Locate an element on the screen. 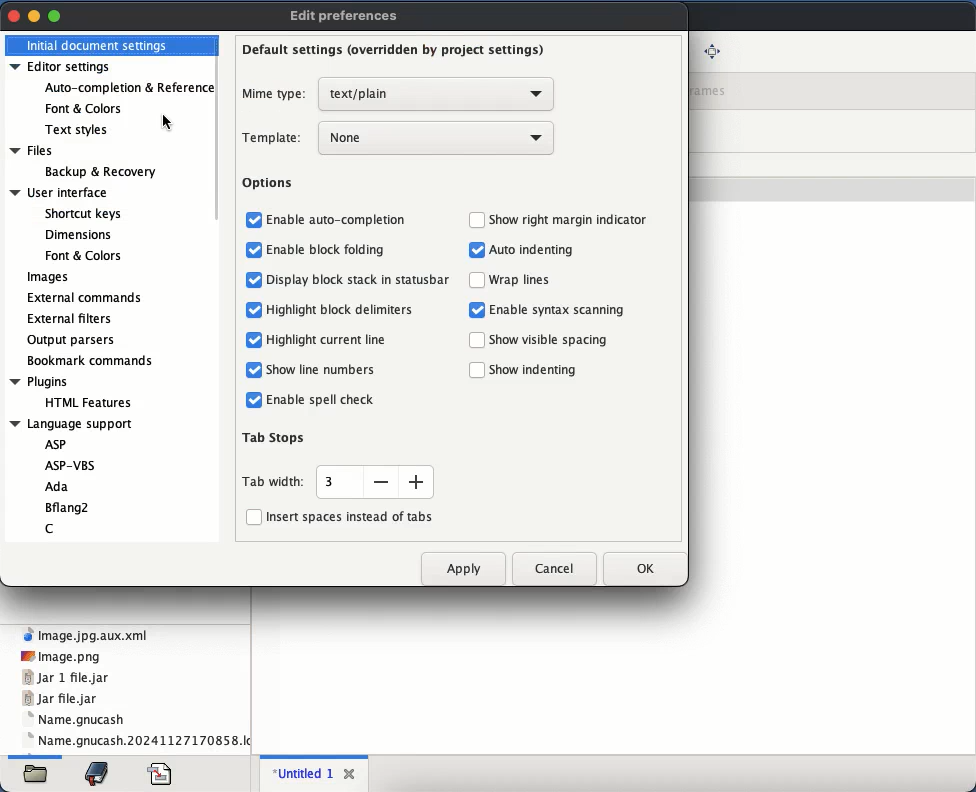  xml is located at coordinates (89, 633).